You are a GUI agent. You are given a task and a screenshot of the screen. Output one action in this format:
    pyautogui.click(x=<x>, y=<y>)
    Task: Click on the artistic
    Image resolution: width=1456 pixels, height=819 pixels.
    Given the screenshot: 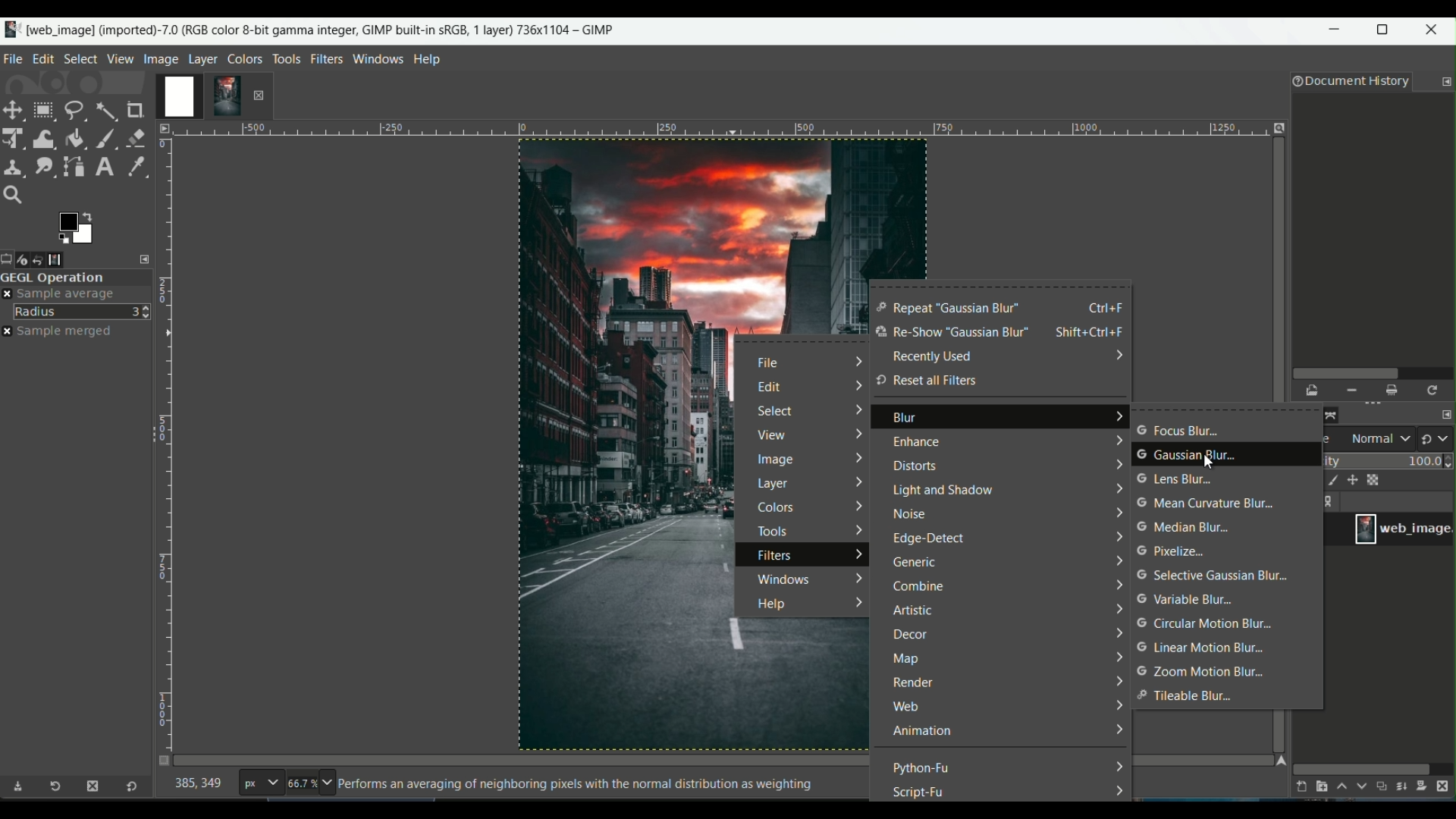 What is the action you would take?
    pyautogui.click(x=912, y=612)
    